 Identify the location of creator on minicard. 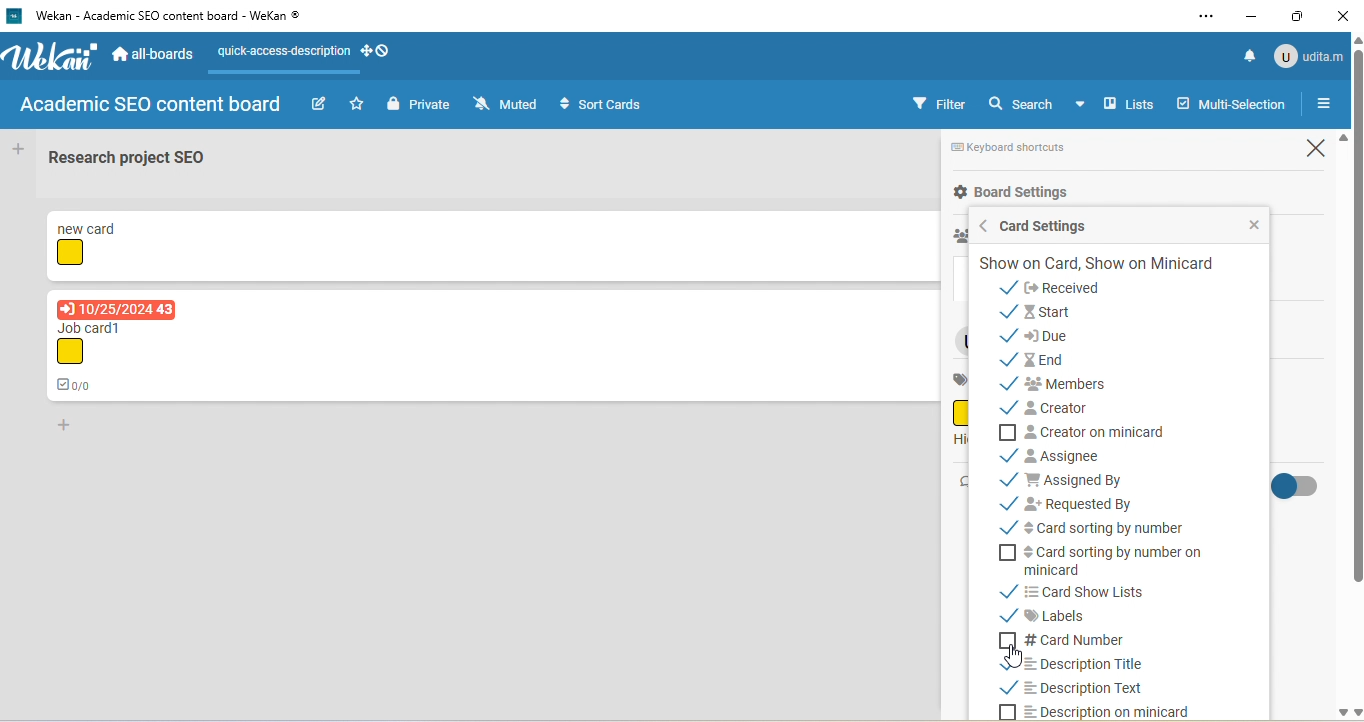
(1098, 432).